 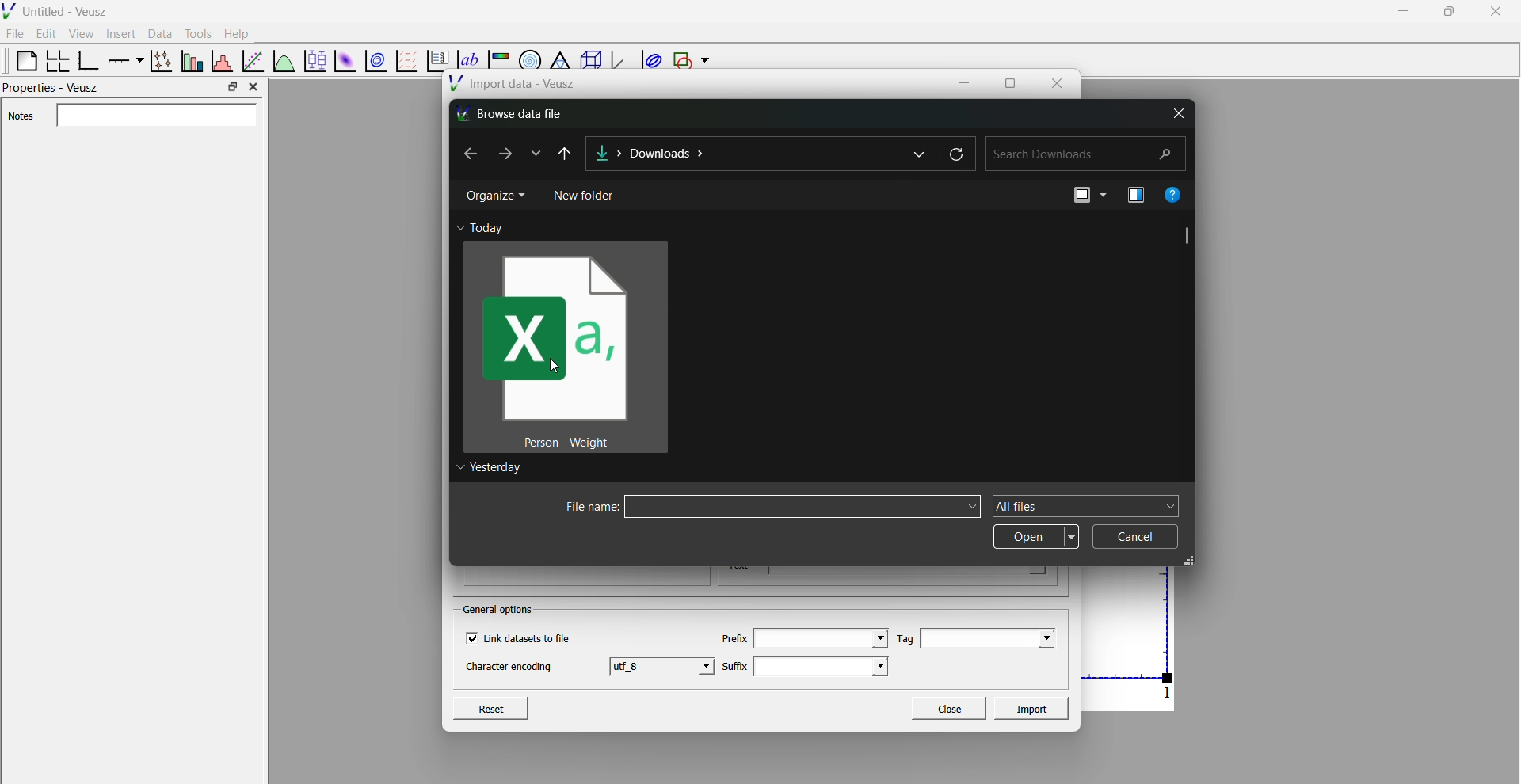 What do you see at coordinates (520, 112) in the screenshot?
I see `Browse data file` at bounding box center [520, 112].